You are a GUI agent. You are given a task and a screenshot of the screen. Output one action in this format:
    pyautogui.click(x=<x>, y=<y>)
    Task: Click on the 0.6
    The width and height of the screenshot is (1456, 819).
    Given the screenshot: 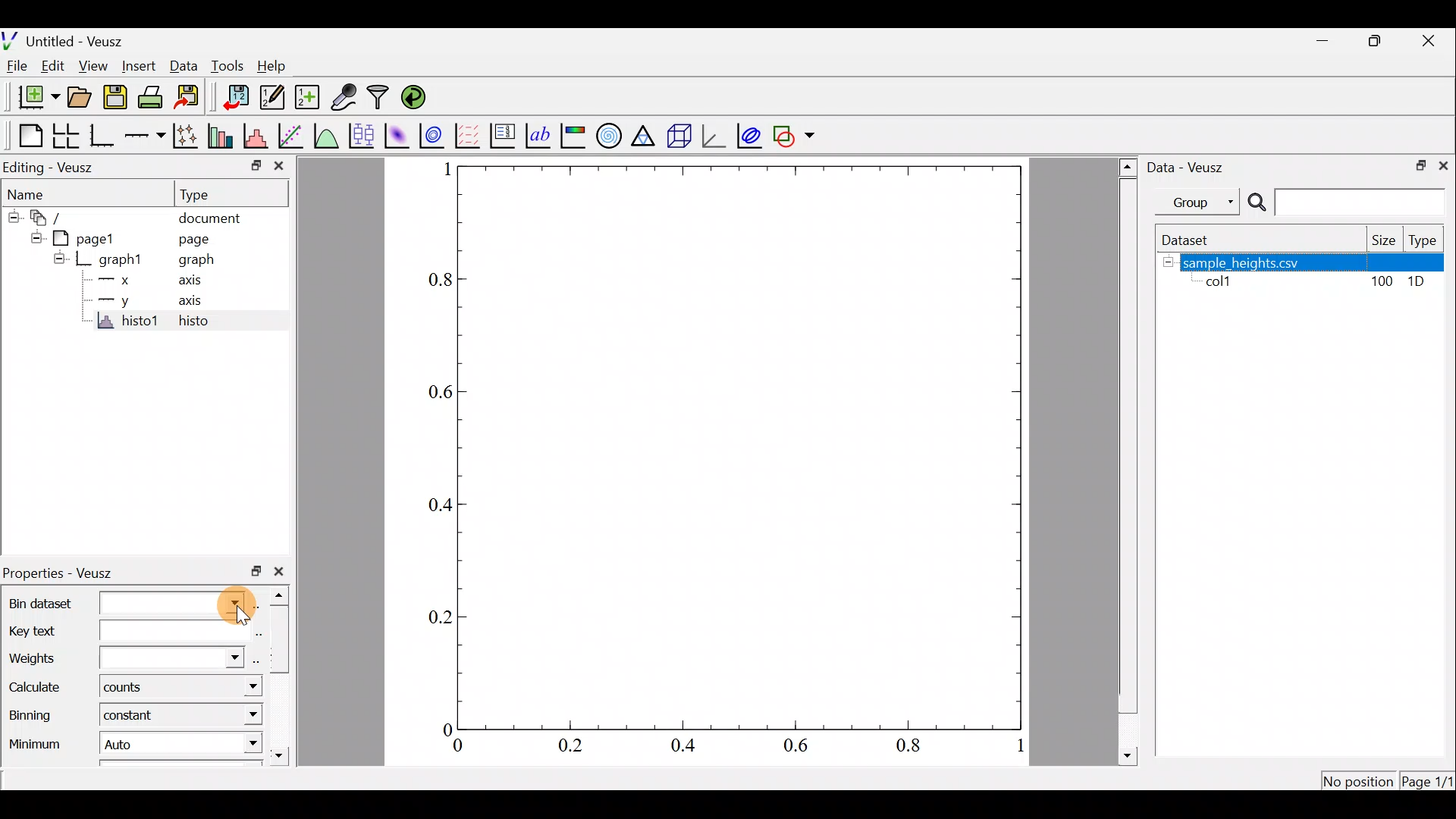 What is the action you would take?
    pyautogui.click(x=800, y=748)
    